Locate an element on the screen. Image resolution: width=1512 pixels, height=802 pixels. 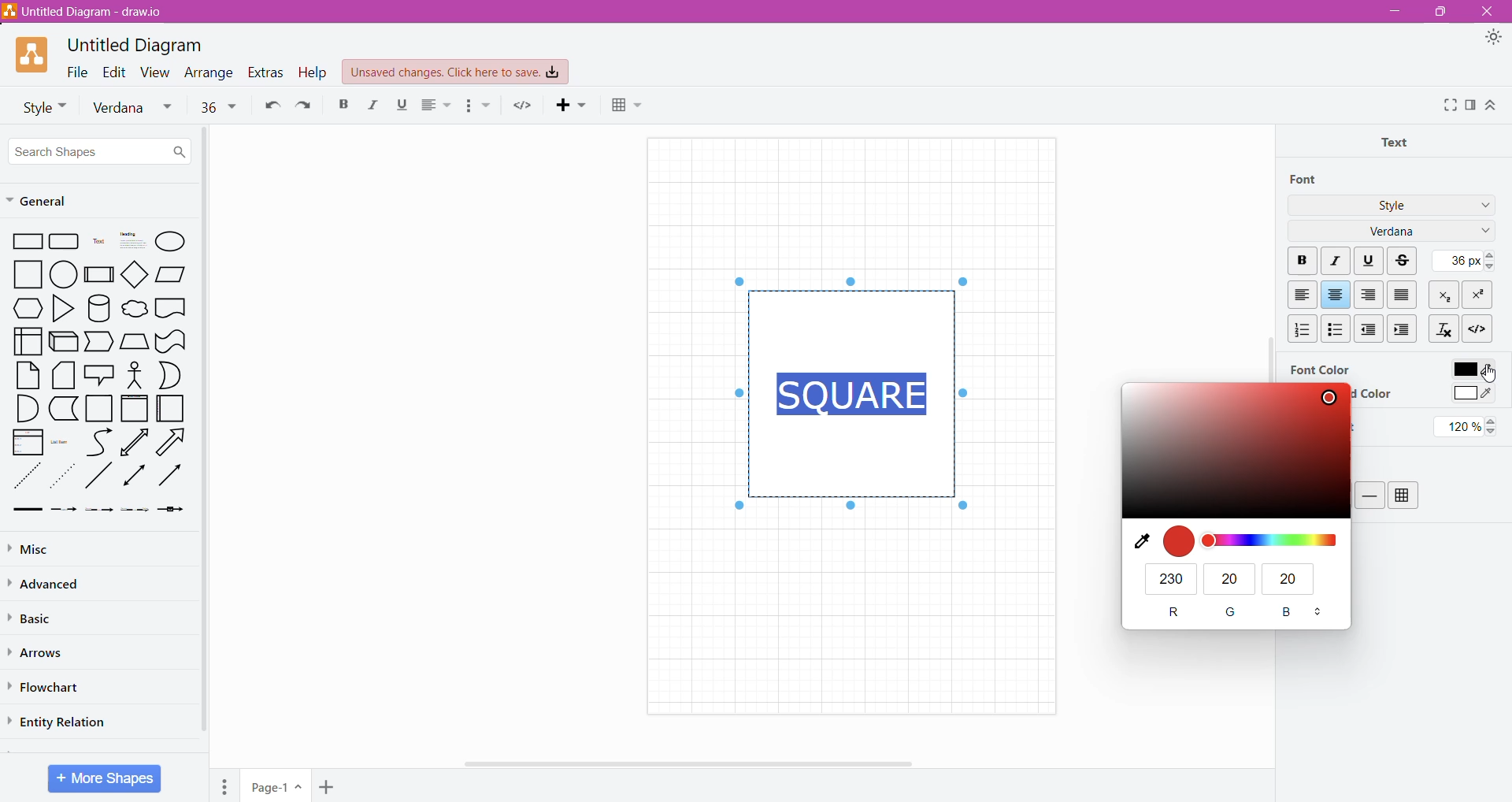
HTML is located at coordinates (1476, 327).